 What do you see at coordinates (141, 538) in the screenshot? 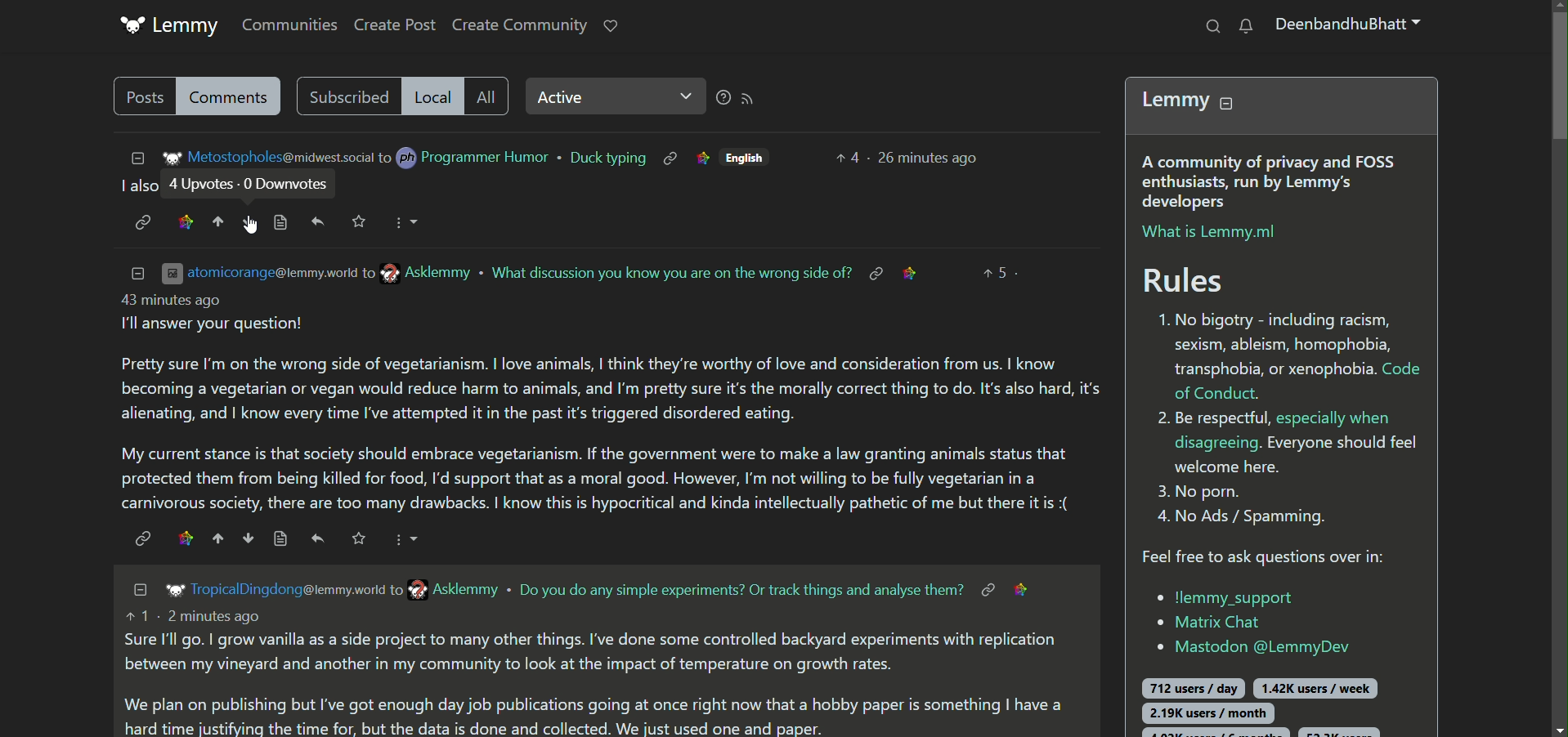
I see `hyperlink` at bounding box center [141, 538].